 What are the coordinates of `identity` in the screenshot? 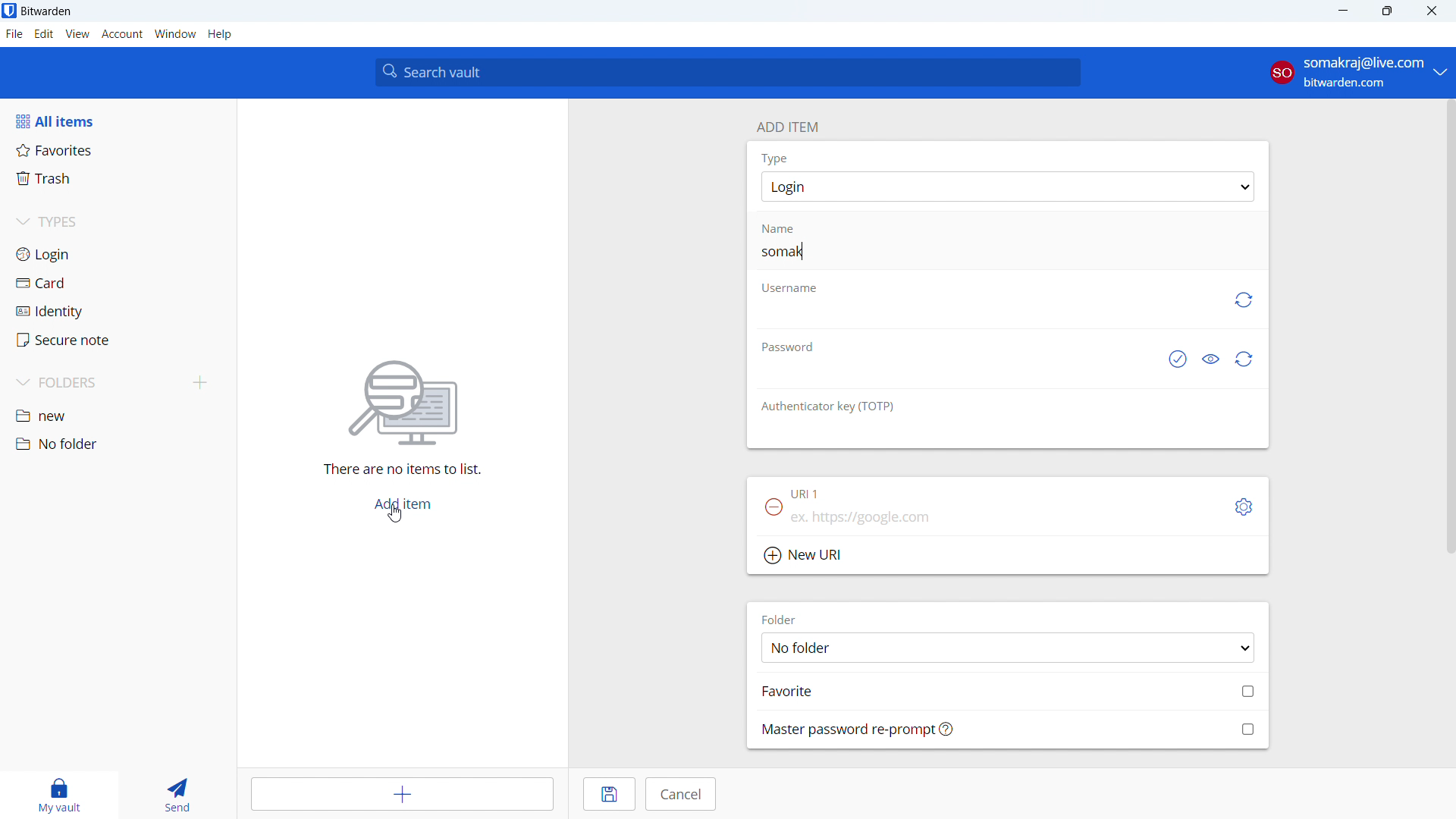 It's located at (118, 312).